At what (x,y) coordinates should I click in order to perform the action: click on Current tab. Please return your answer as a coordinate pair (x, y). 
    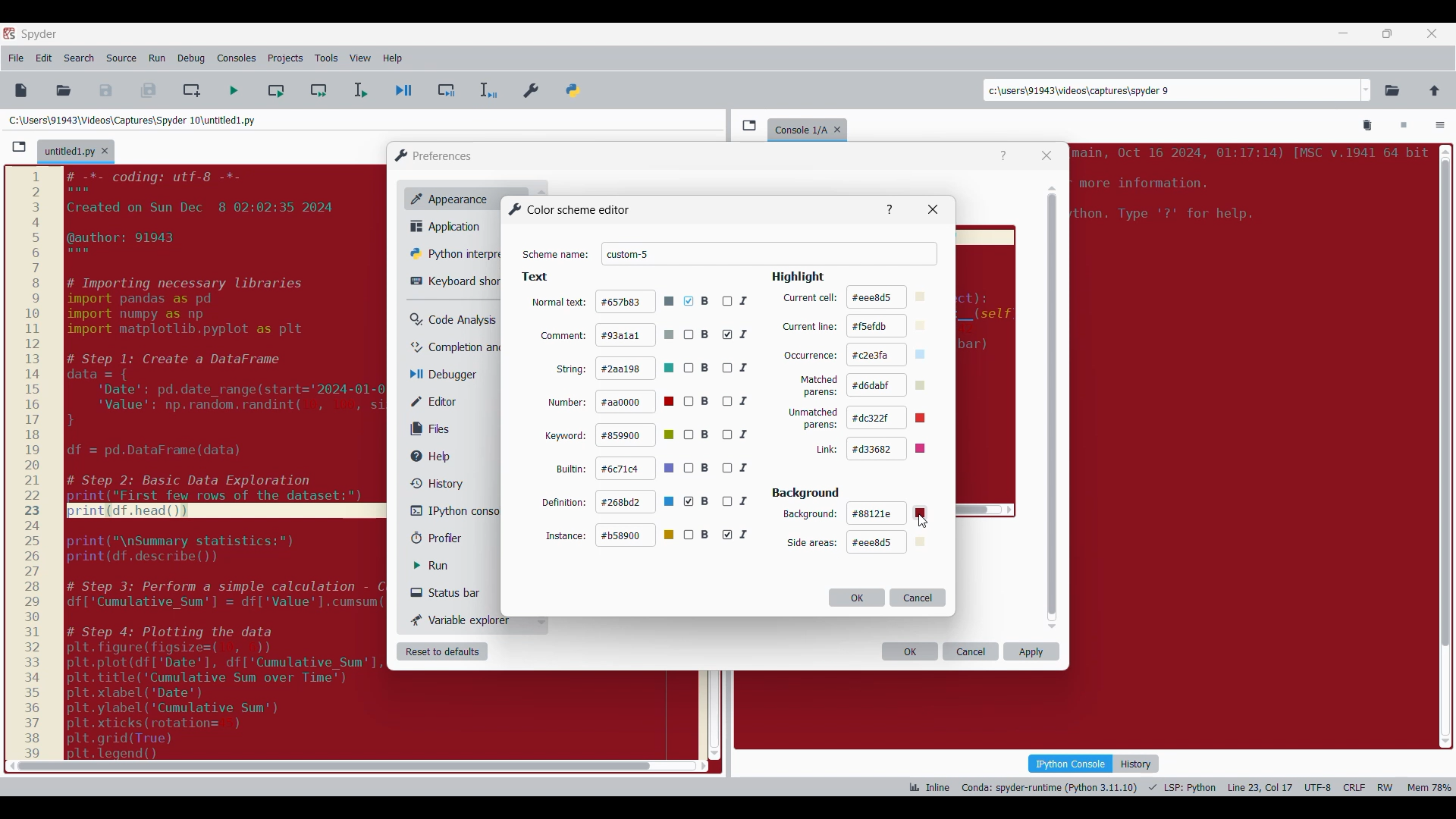
    Looking at the image, I should click on (69, 152).